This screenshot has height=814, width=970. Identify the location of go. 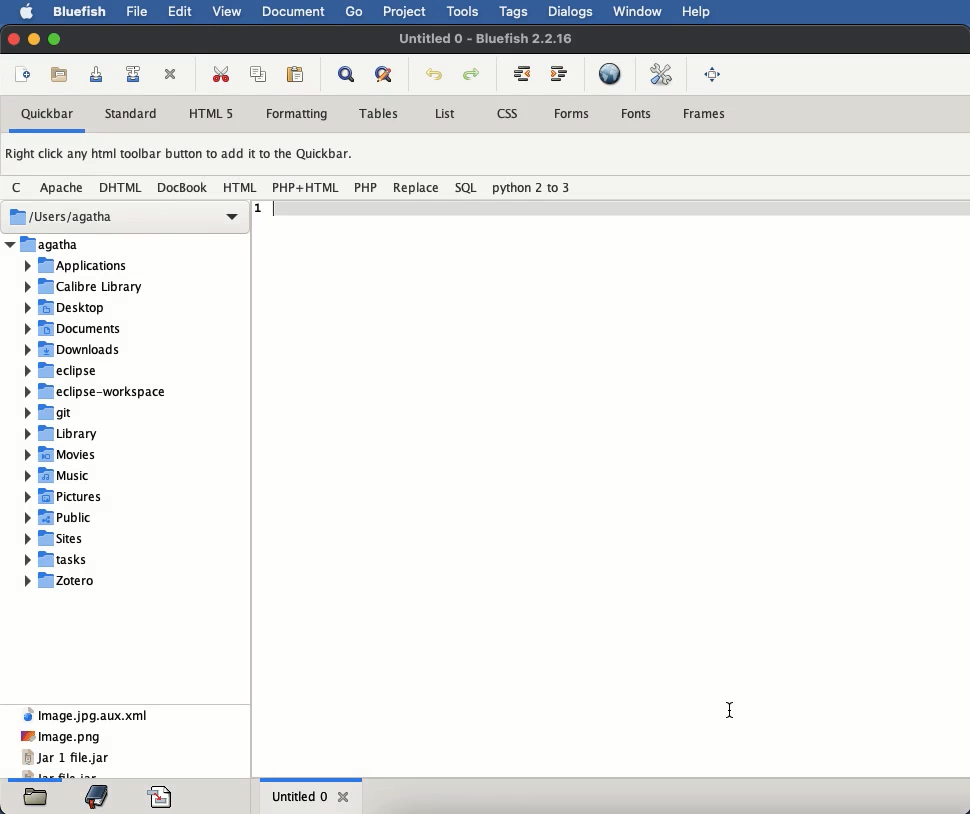
(355, 11).